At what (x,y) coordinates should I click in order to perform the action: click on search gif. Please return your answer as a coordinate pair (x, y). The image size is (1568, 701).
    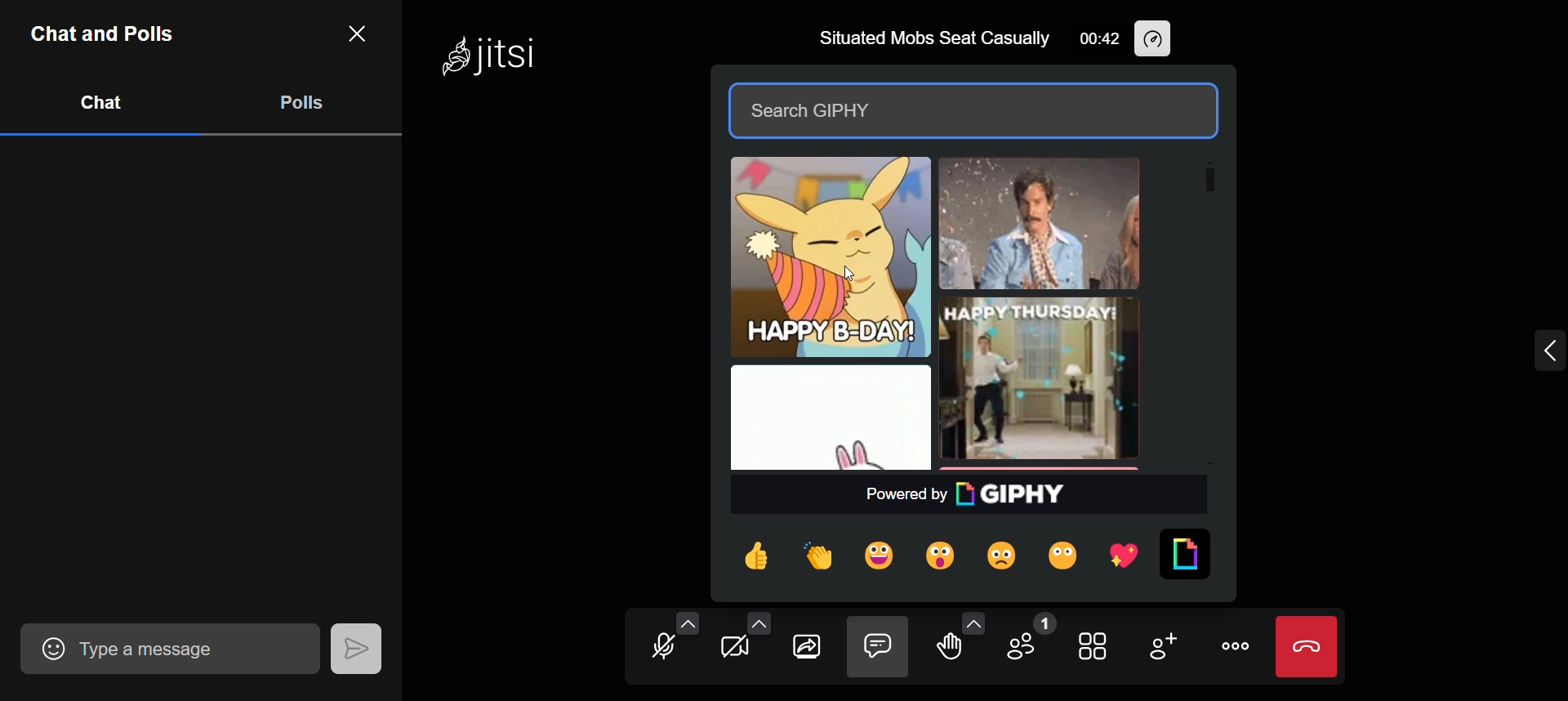
    Looking at the image, I should click on (976, 109).